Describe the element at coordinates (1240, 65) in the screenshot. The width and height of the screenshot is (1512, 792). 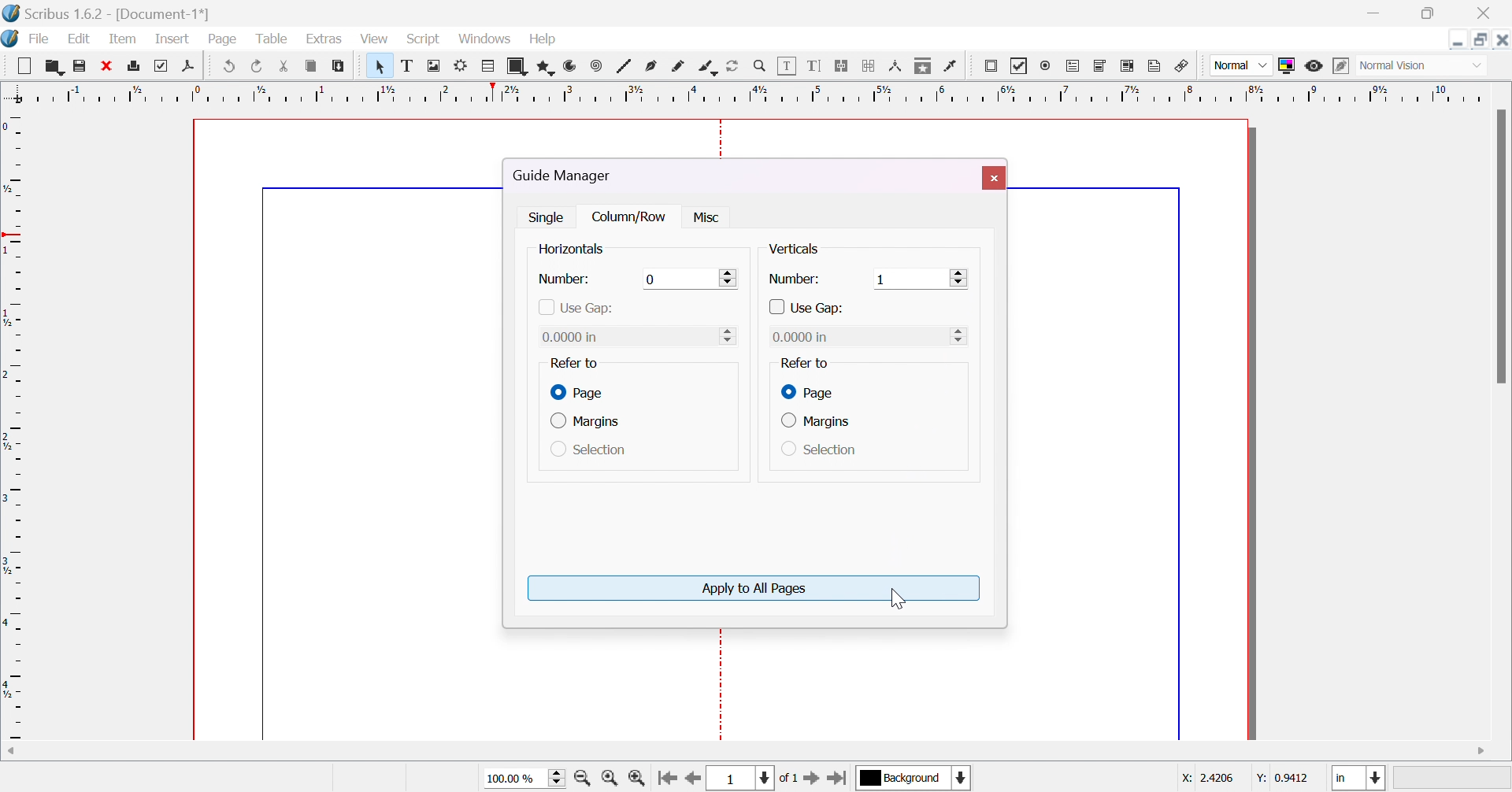
I see `Normal` at that location.